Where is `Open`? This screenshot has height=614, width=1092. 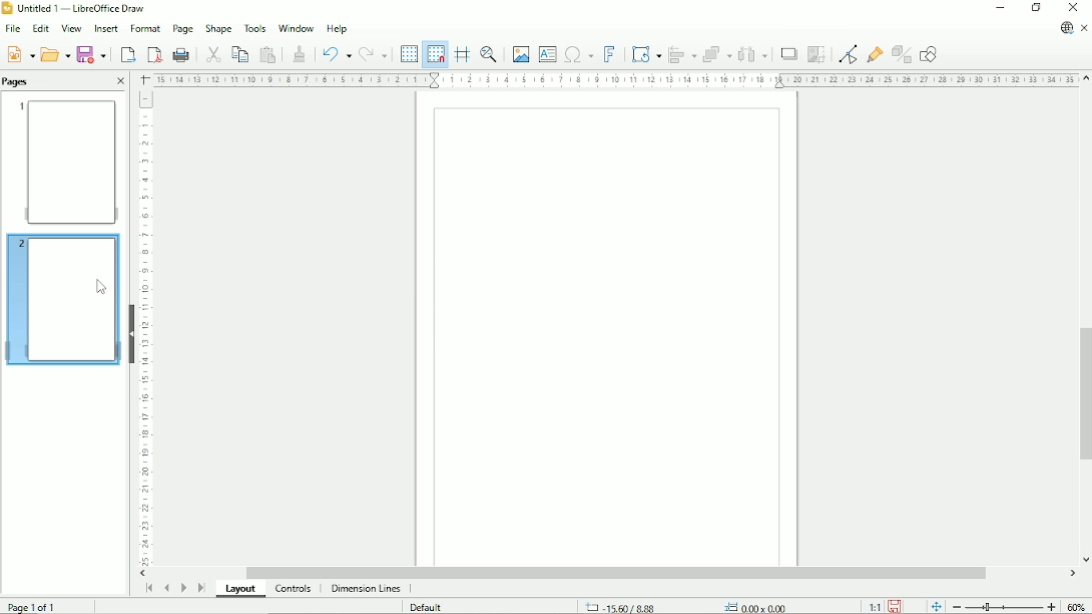 Open is located at coordinates (55, 53).